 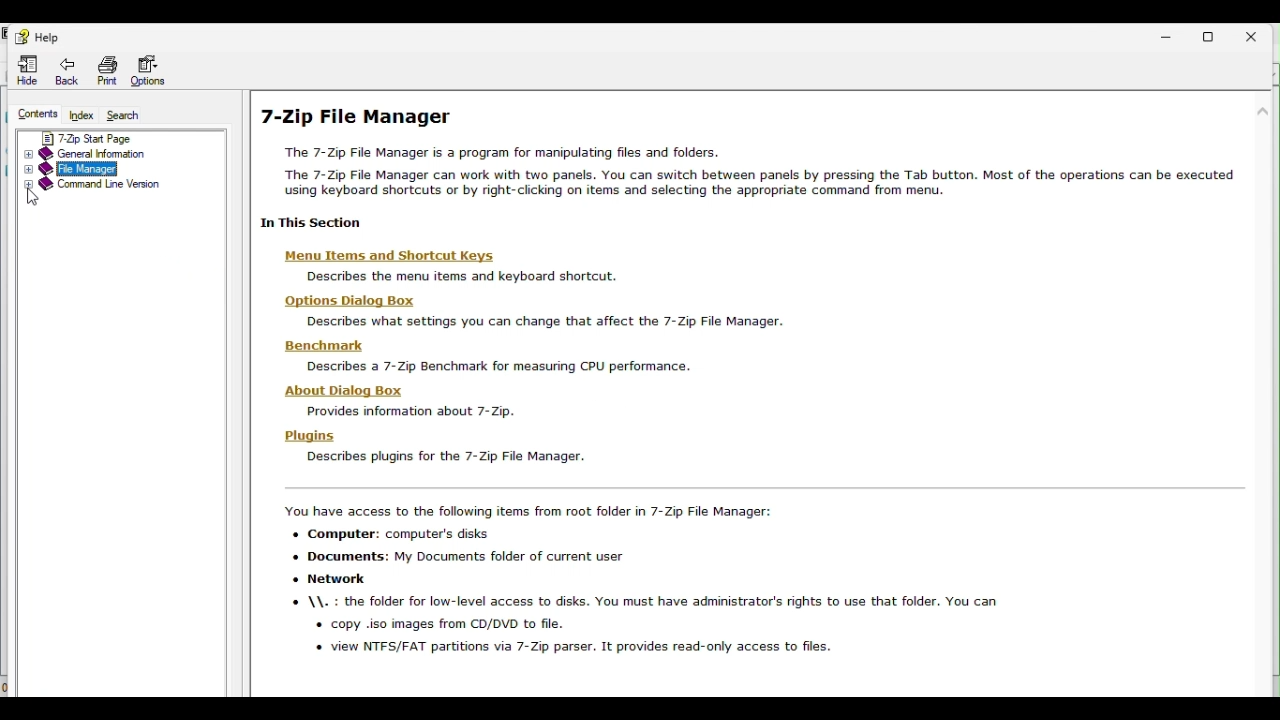 What do you see at coordinates (68, 71) in the screenshot?
I see `Back` at bounding box center [68, 71].